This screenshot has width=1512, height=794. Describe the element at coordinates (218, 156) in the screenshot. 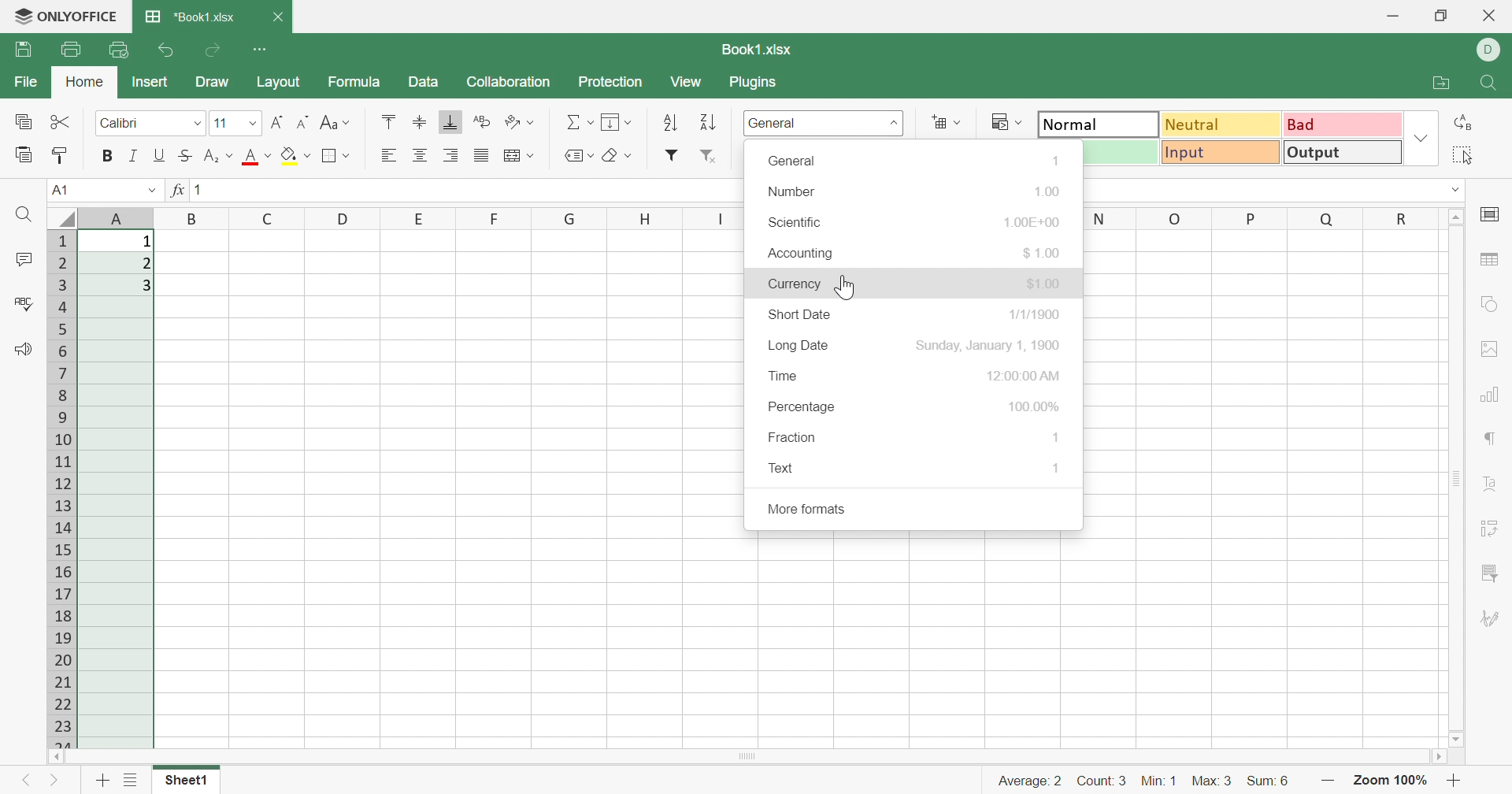

I see `Subscript` at that location.